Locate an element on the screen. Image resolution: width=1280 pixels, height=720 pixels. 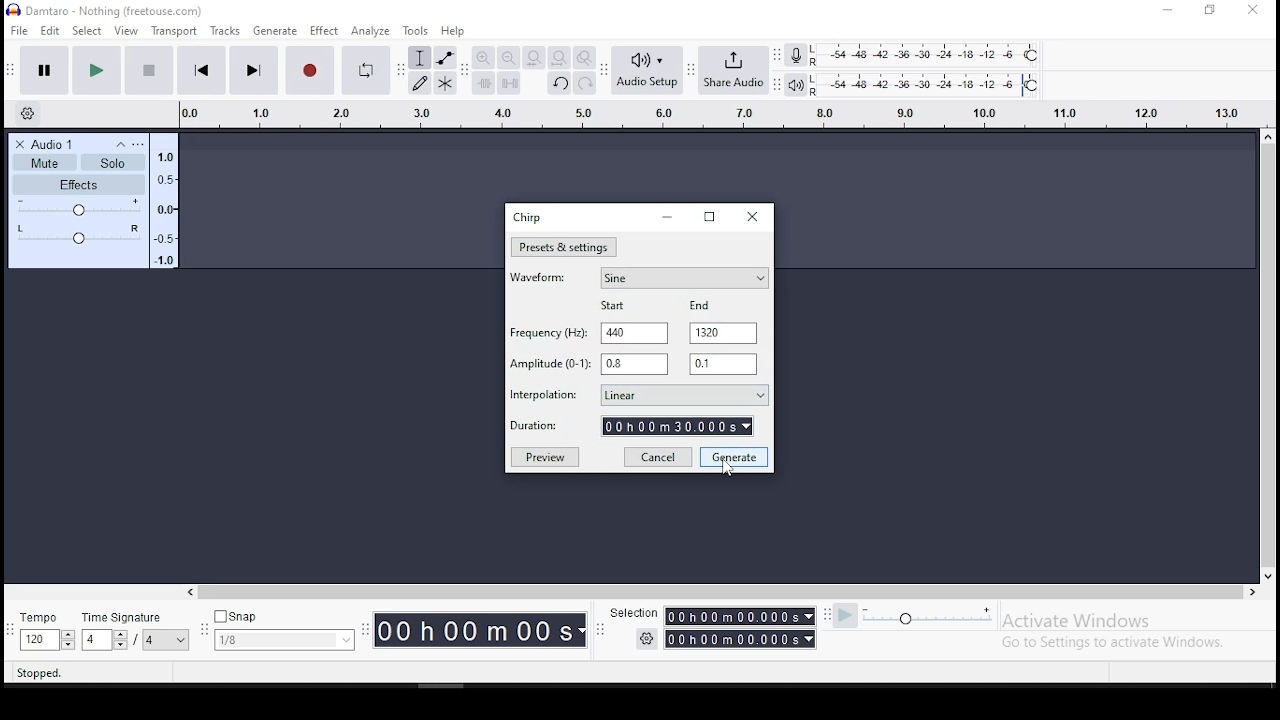
interpolation is located at coordinates (636, 394).